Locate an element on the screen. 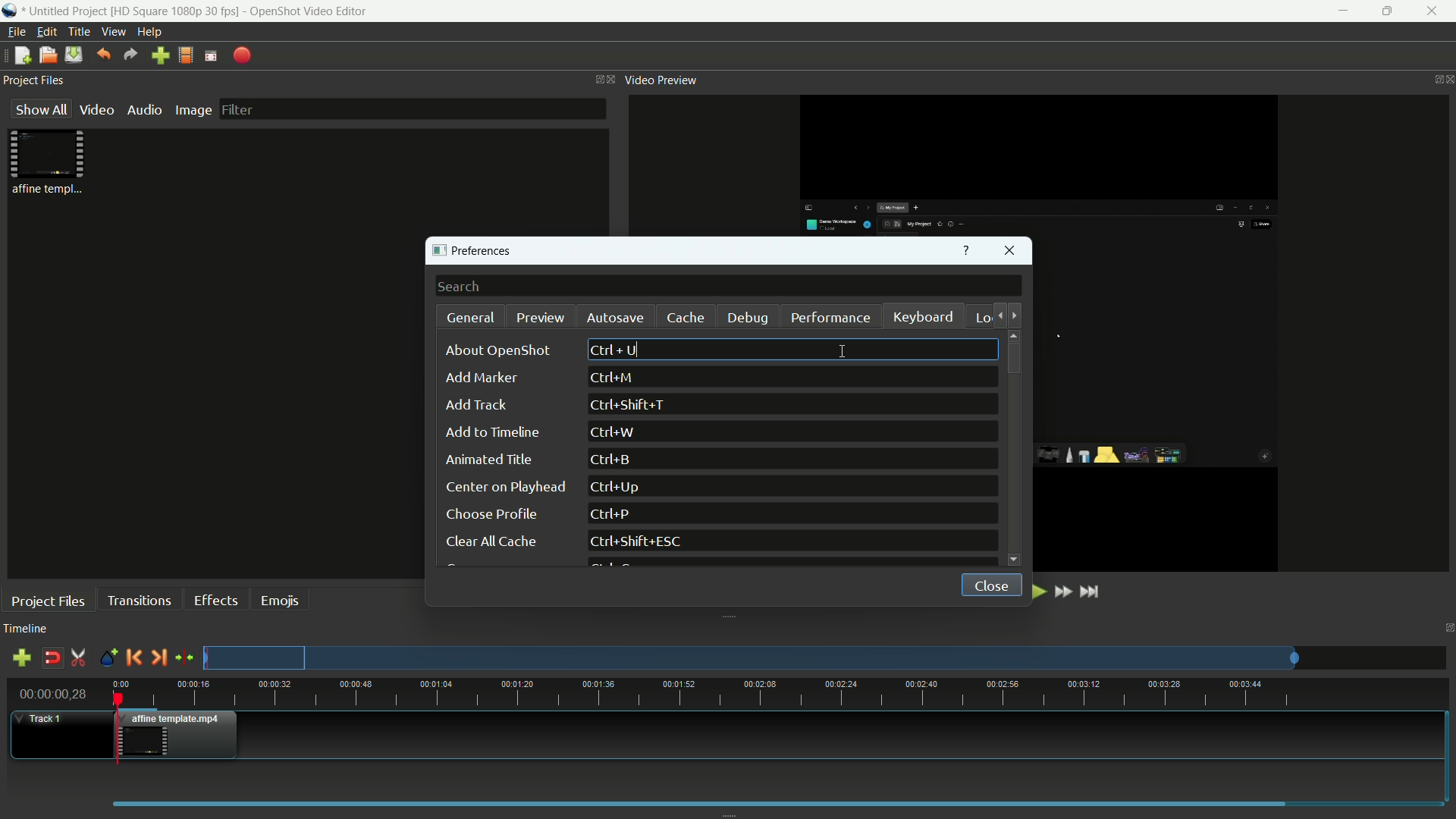 This screenshot has height=819, width=1456. debug is located at coordinates (750, 318).